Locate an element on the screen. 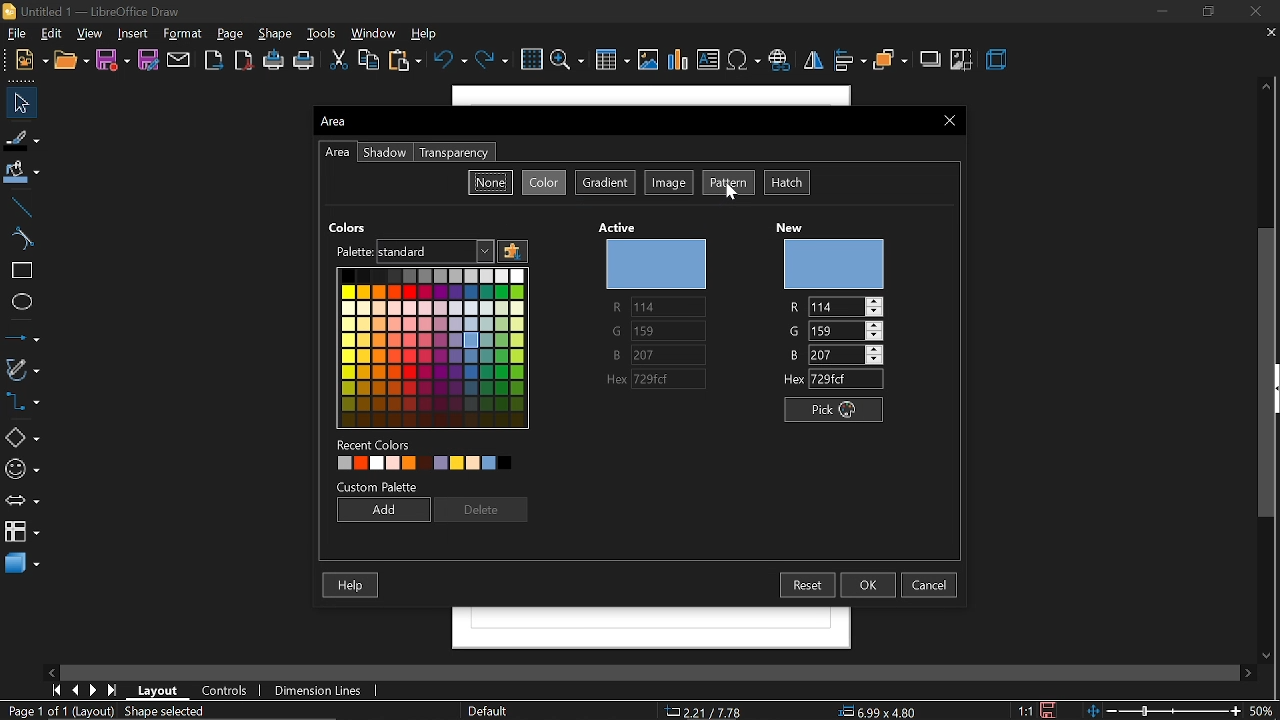 This screenshot has height=720, width=1280. rectangle is located at coordinates (18, 270).